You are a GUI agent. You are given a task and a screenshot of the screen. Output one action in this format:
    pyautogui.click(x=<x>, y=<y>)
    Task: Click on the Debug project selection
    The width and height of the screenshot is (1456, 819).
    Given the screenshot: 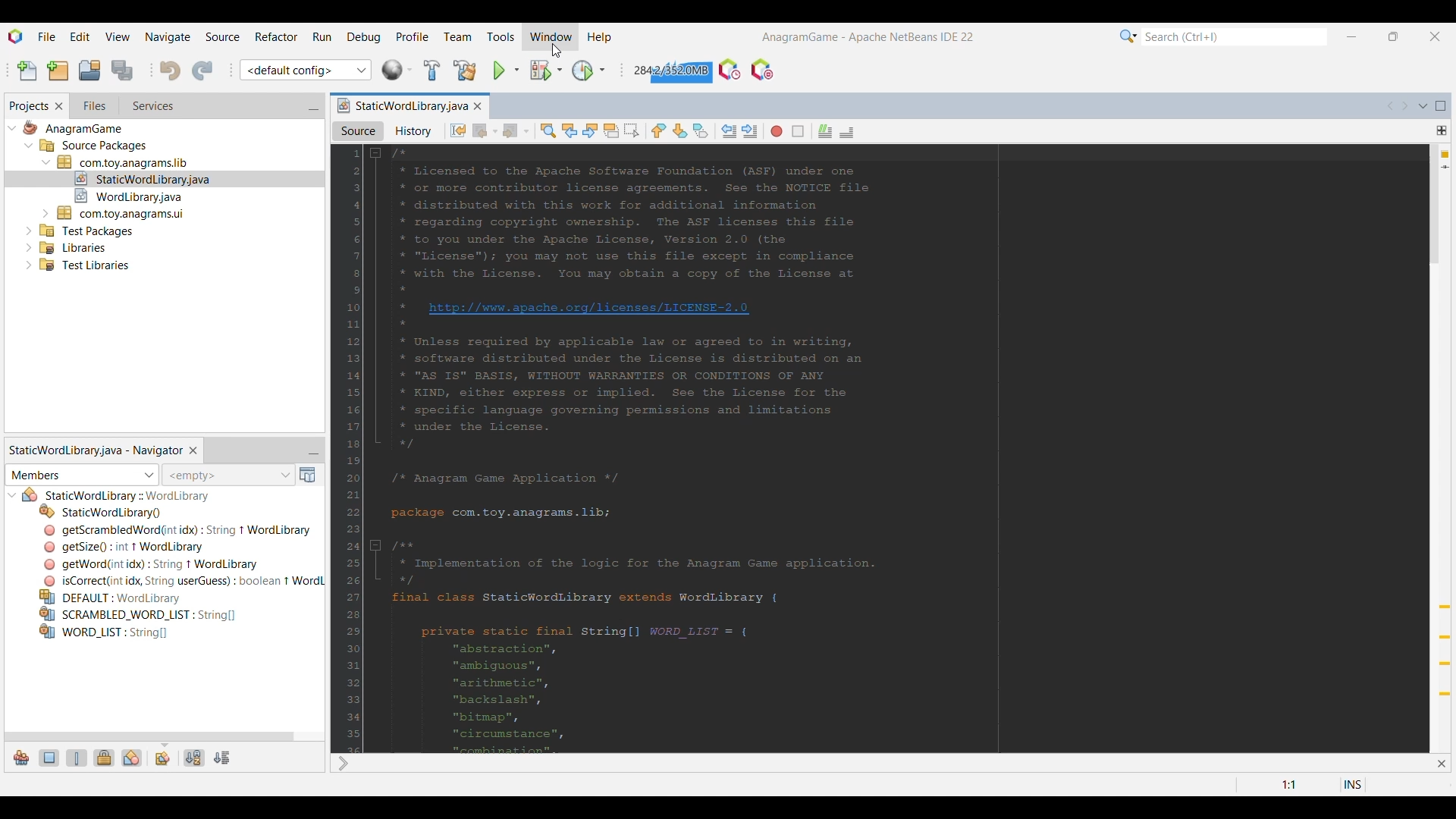 What is the action you would take?
    pyautogui.click(x=540, y=71)
    